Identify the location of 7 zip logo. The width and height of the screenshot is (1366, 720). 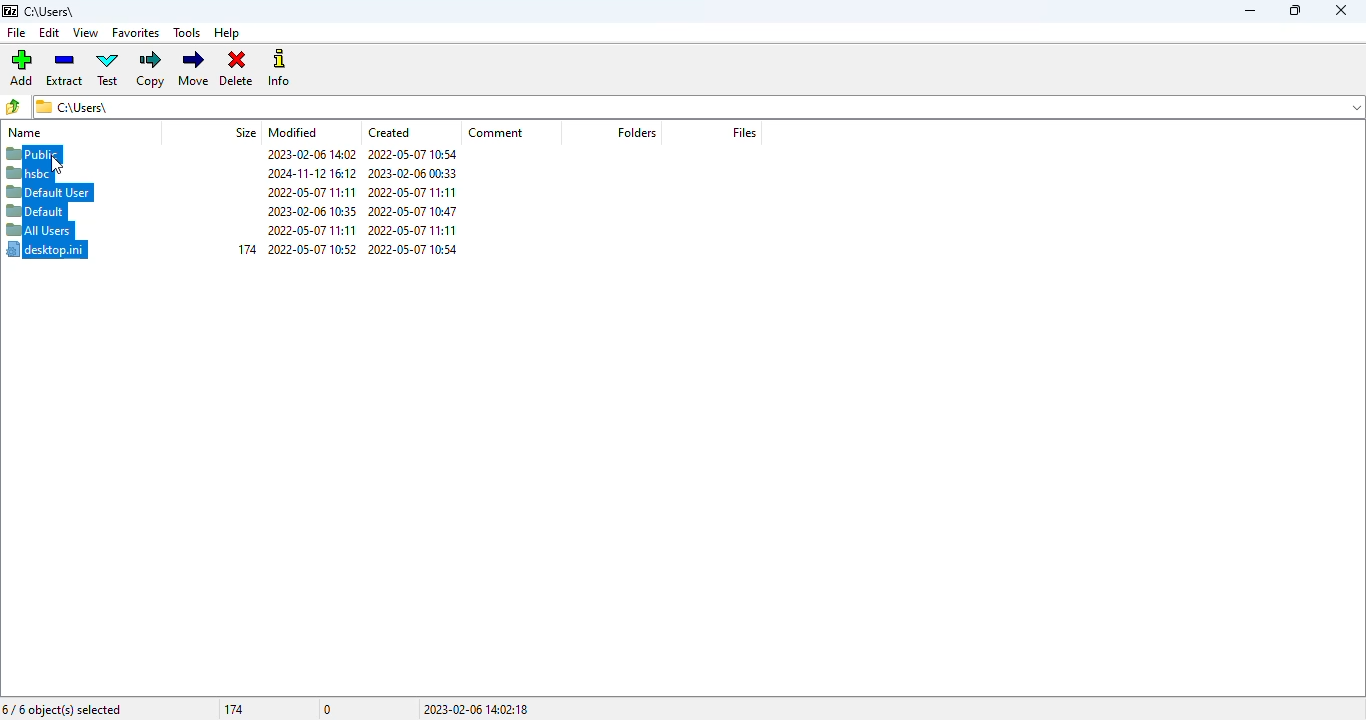
(11, 12).